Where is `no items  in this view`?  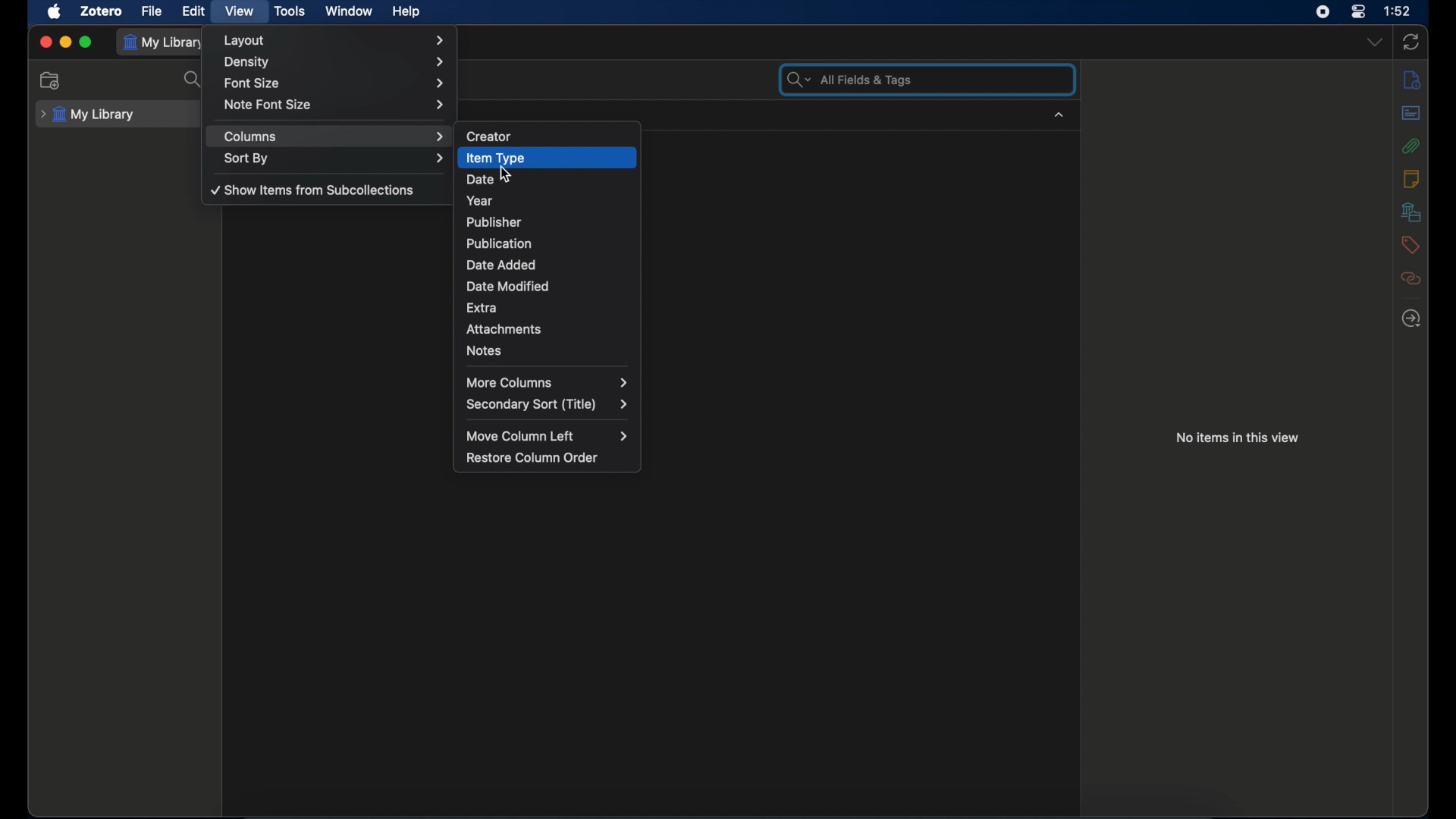
no items  in this view is located at coordinates (1238, 437).